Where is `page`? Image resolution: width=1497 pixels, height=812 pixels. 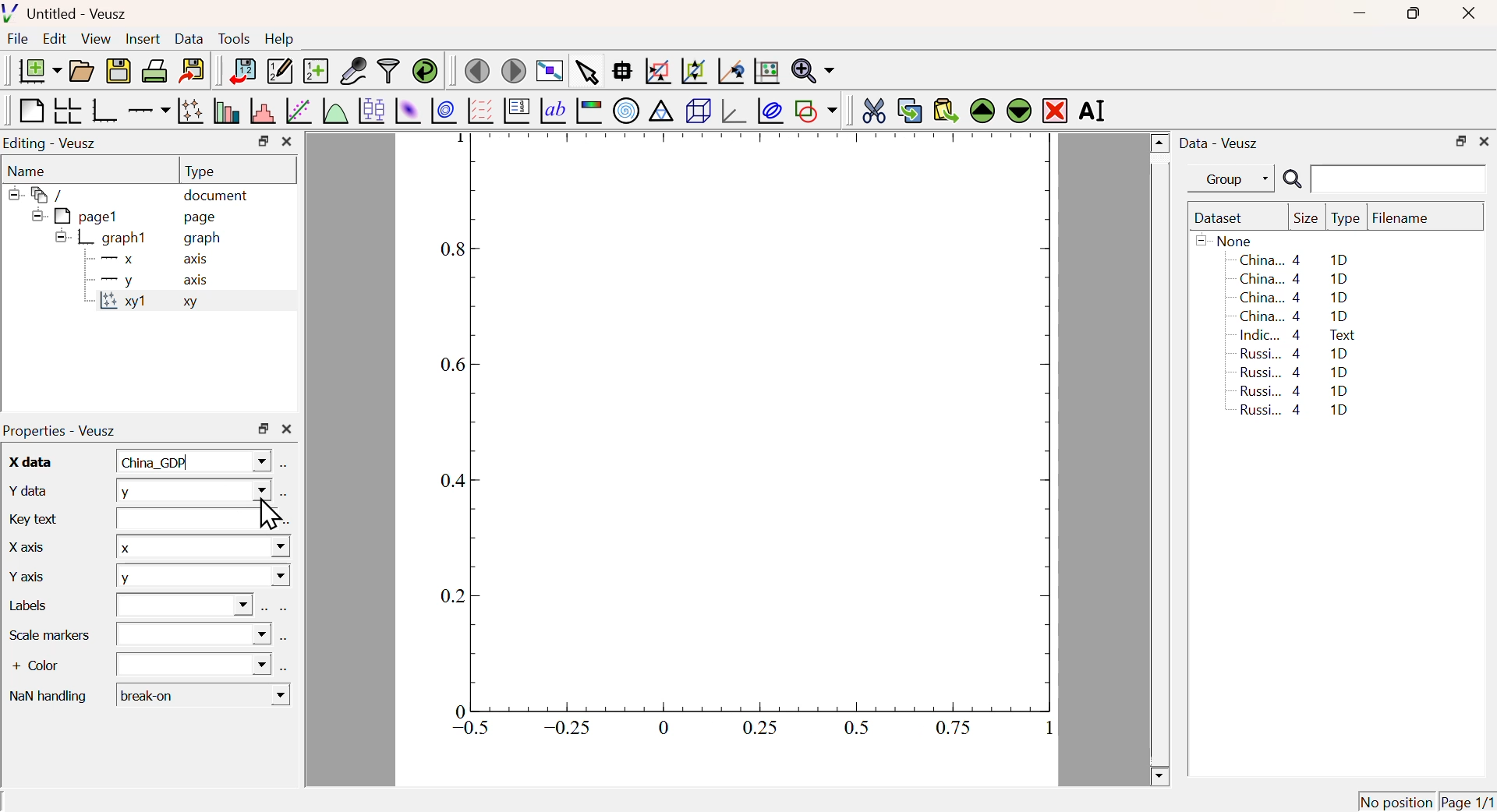 page is located at coordinates (203, 217).